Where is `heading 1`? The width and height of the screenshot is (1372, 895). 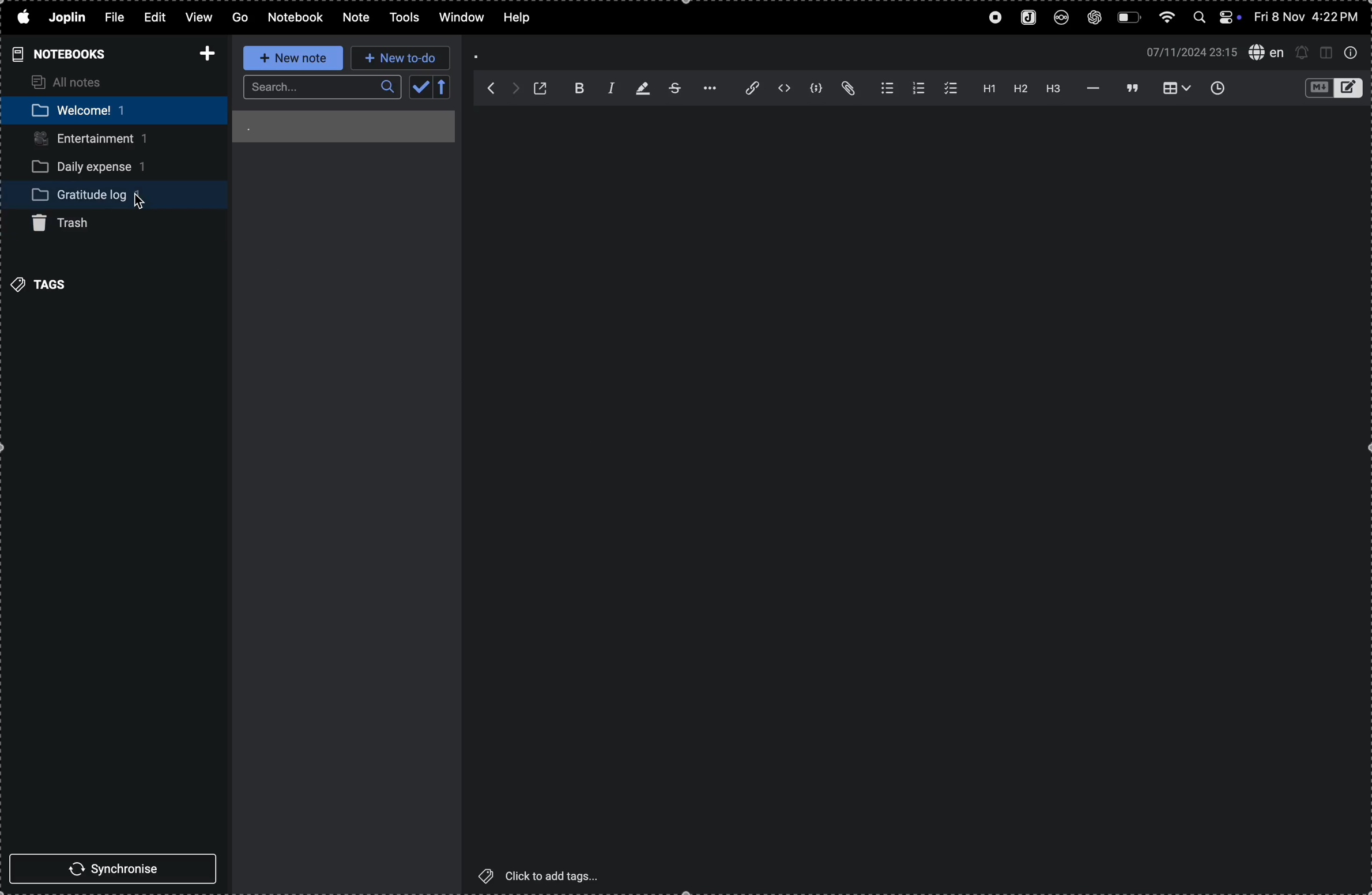
heading 1 is located at coordinates (986, 88).